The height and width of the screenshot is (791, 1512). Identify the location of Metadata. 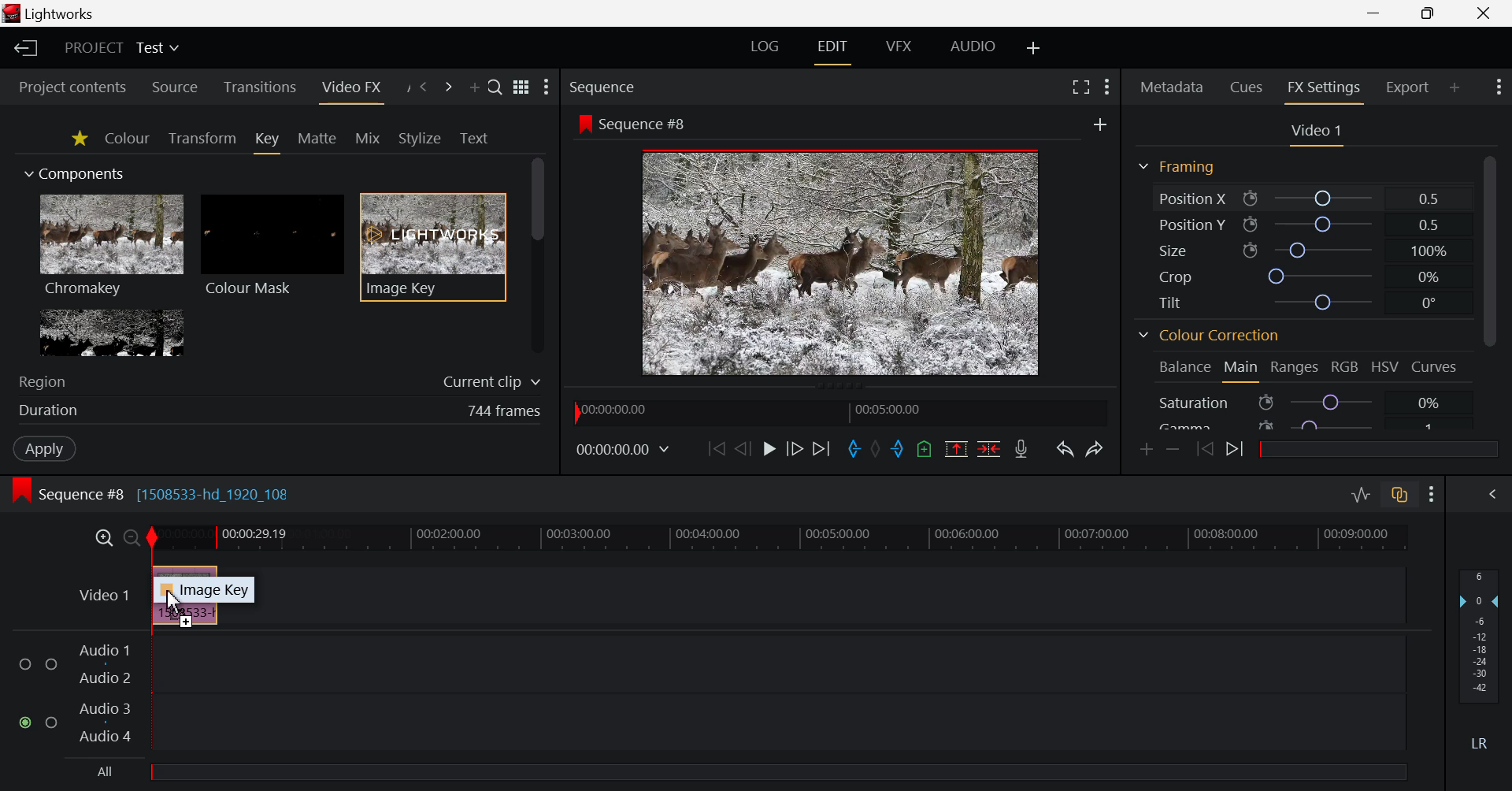
(1172, 88).